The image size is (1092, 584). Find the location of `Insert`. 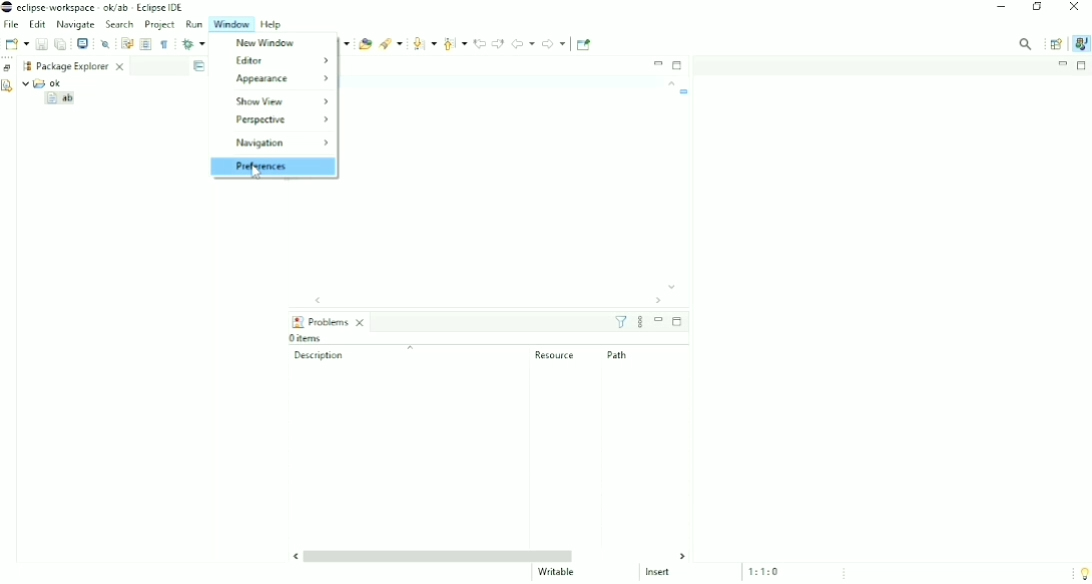

Insert is located at coordinates (664, 574).